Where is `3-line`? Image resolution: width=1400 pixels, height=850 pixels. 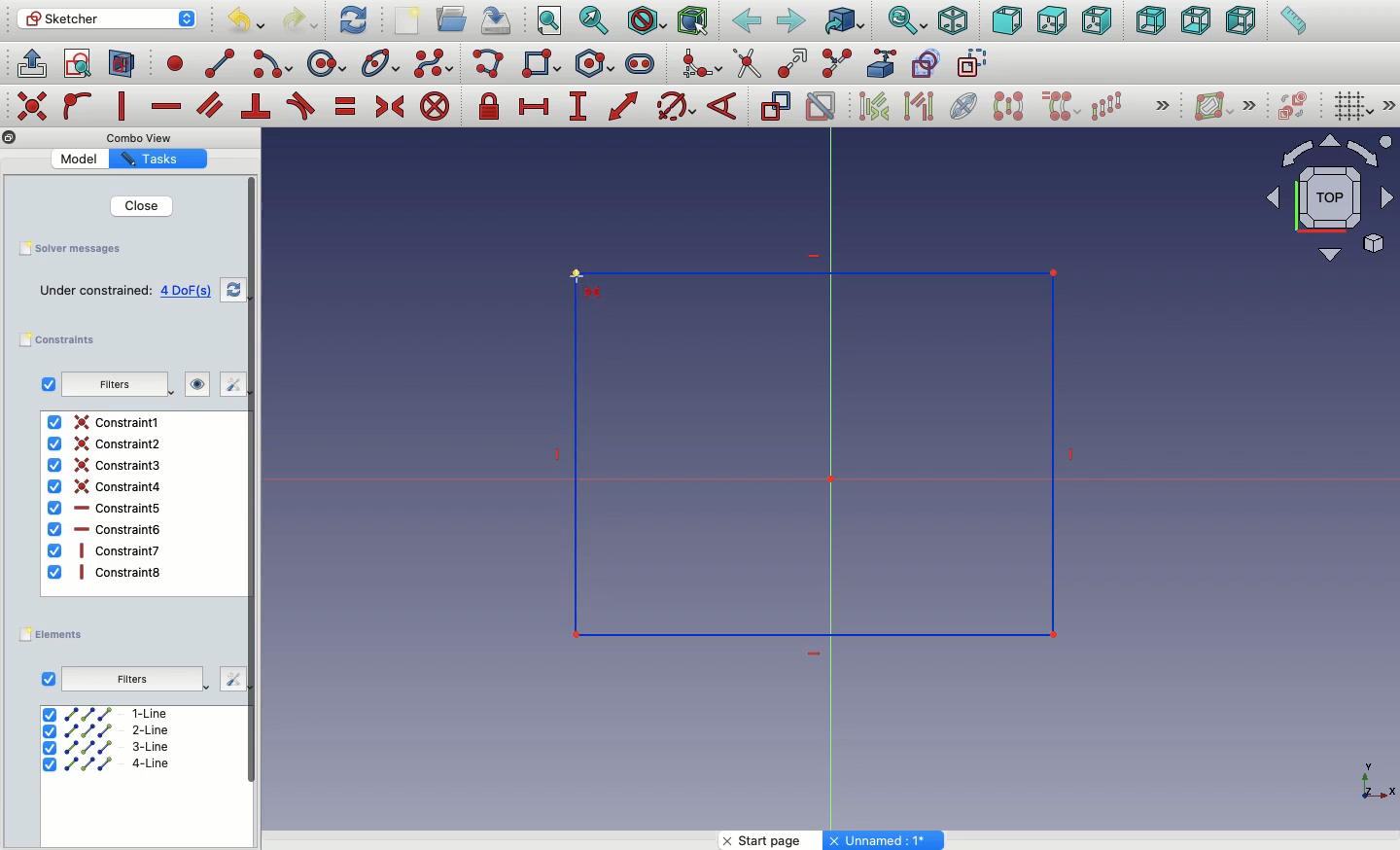 3-line is located at coordinates (108, 748).